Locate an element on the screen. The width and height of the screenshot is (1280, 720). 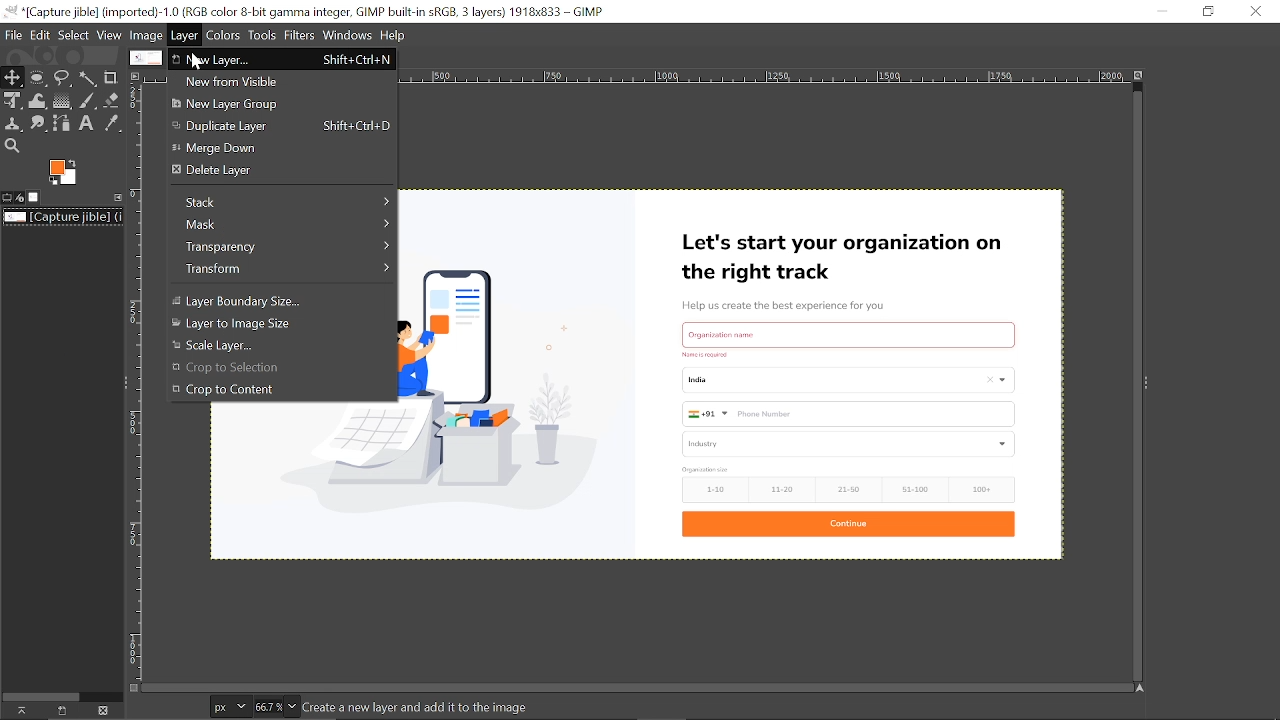
delete image is located at coordinates (103, 711).